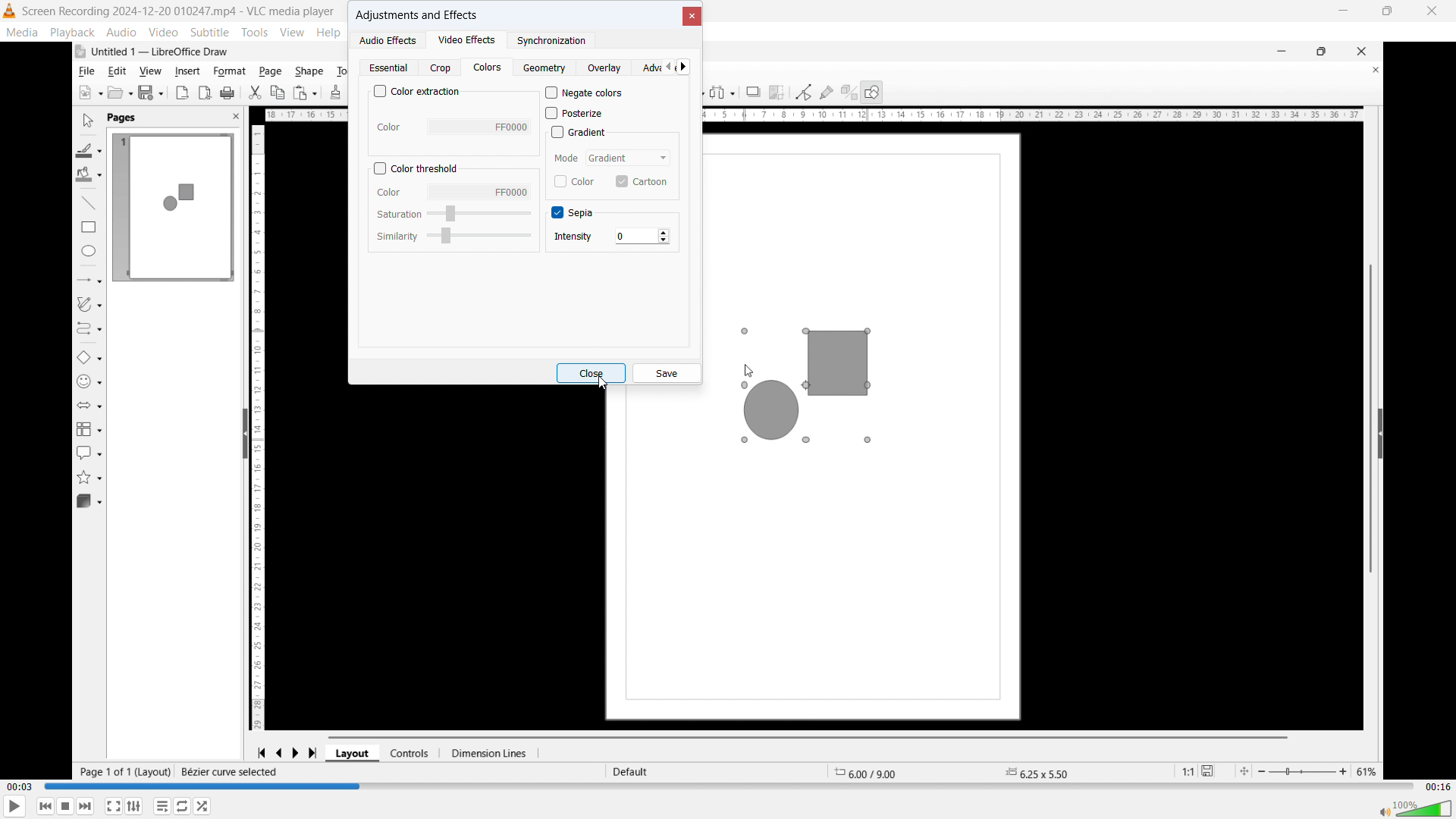 Image resolution: width=1456 pixels, height=819 pixels. What do you see at coordinates (667, 374) in the screenshot?
I see `Save ` at bounding box center [667, 374].